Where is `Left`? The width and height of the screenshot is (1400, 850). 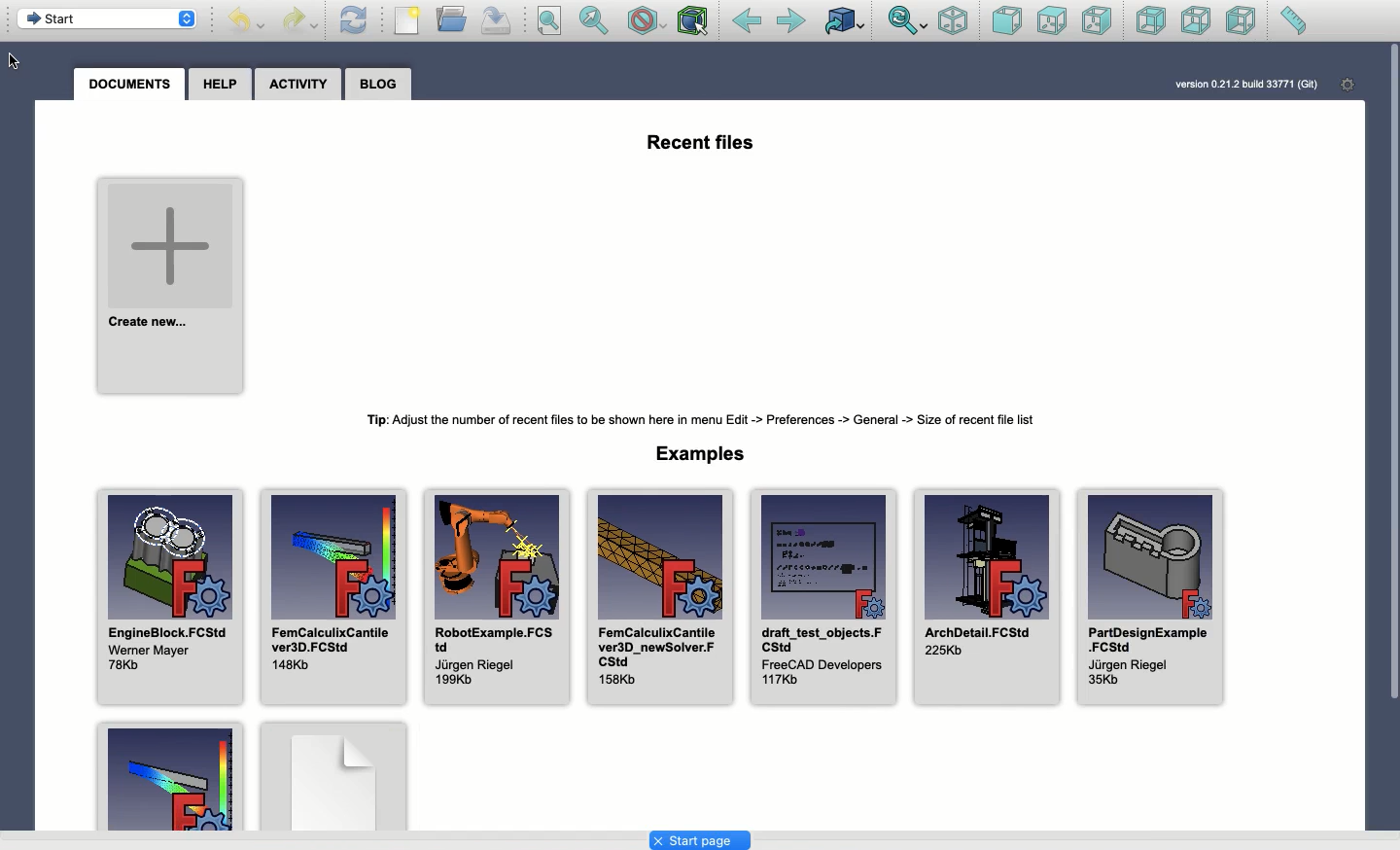
Left is located at coordinates (1241, 21).